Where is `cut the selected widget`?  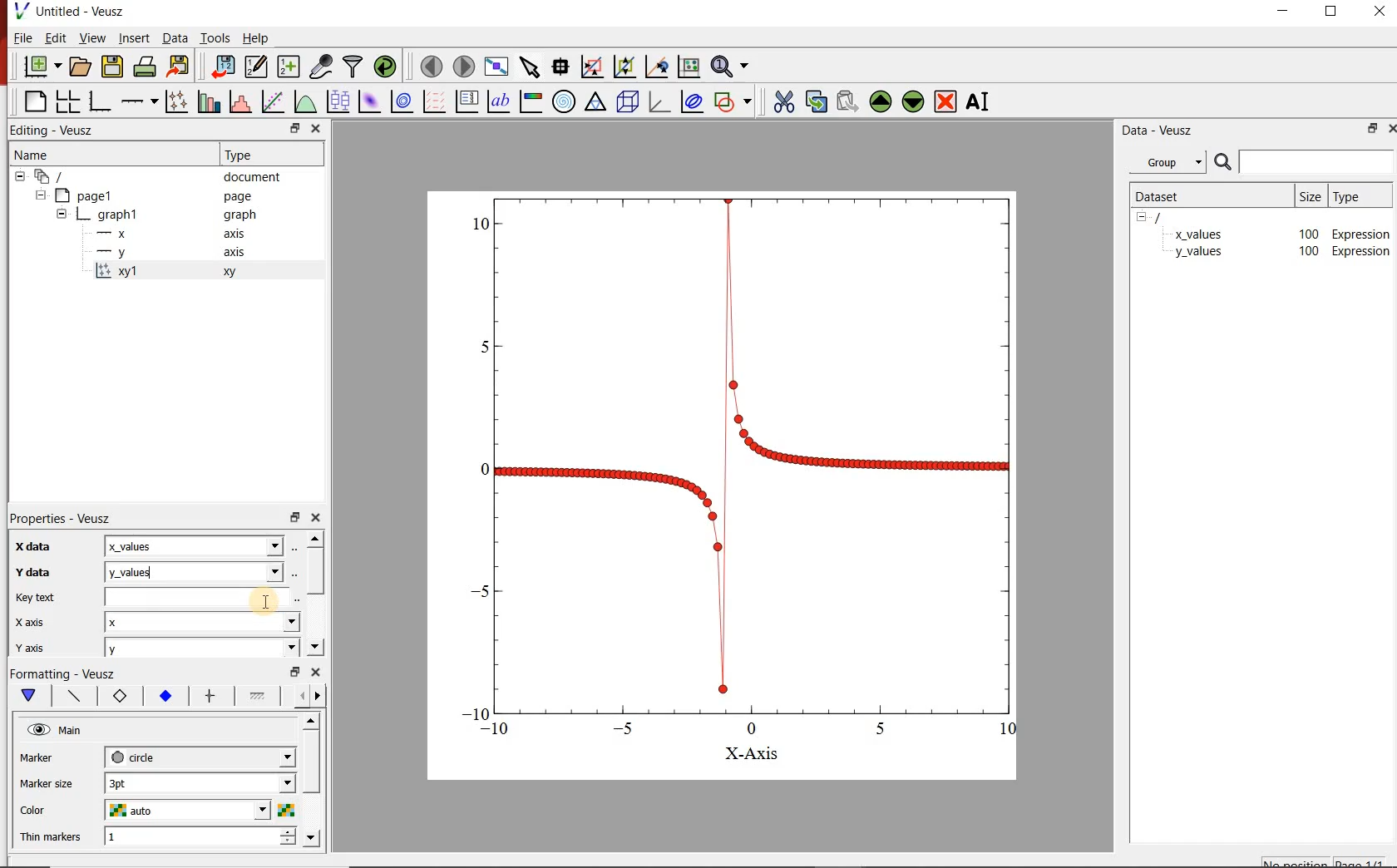
cut the selected widget is located at coordinates (785, 103).